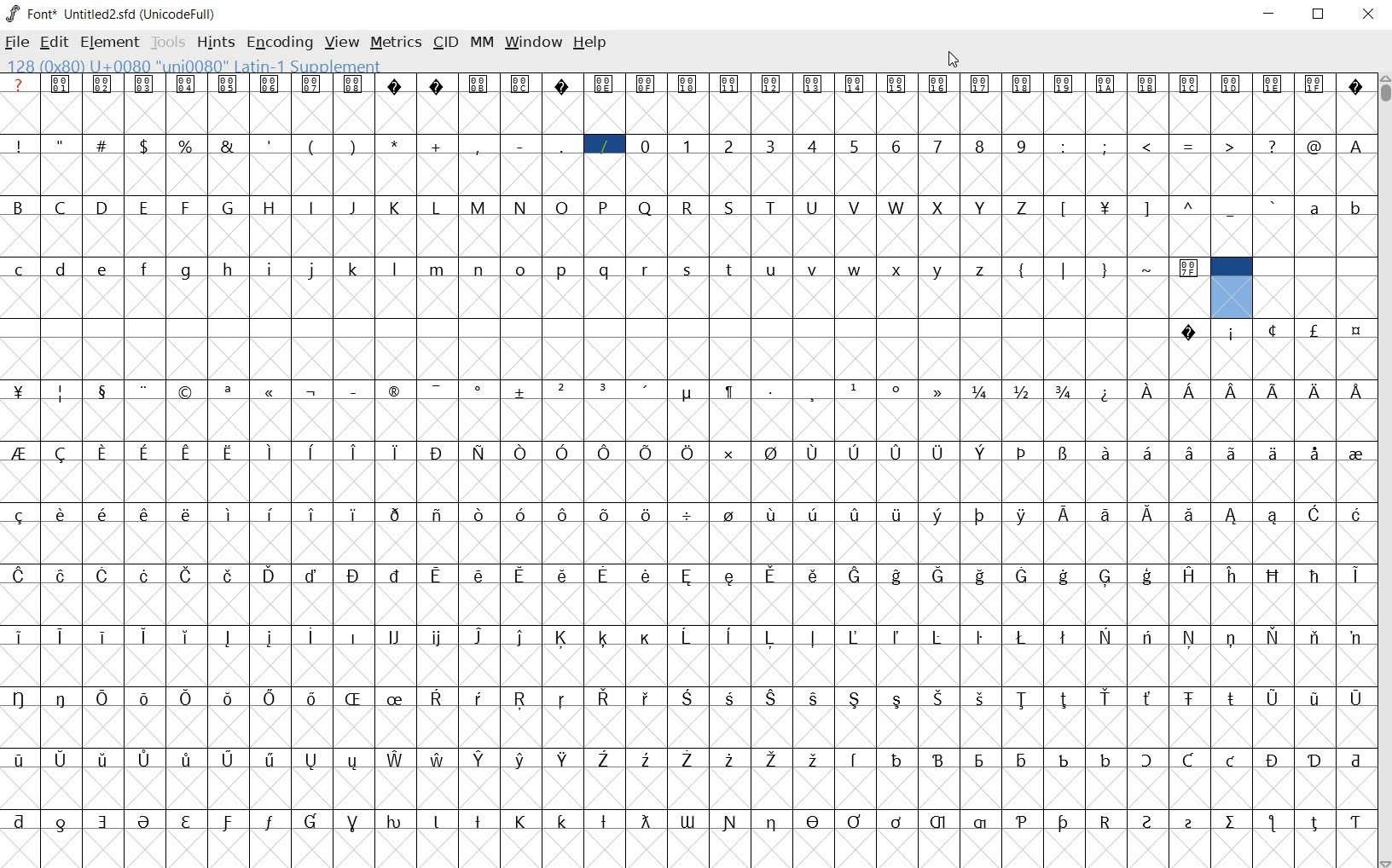  What do you see at coordinates (1107, 697) in the screenshot?
I see `Symbol` at bounding box center [1107, 697].